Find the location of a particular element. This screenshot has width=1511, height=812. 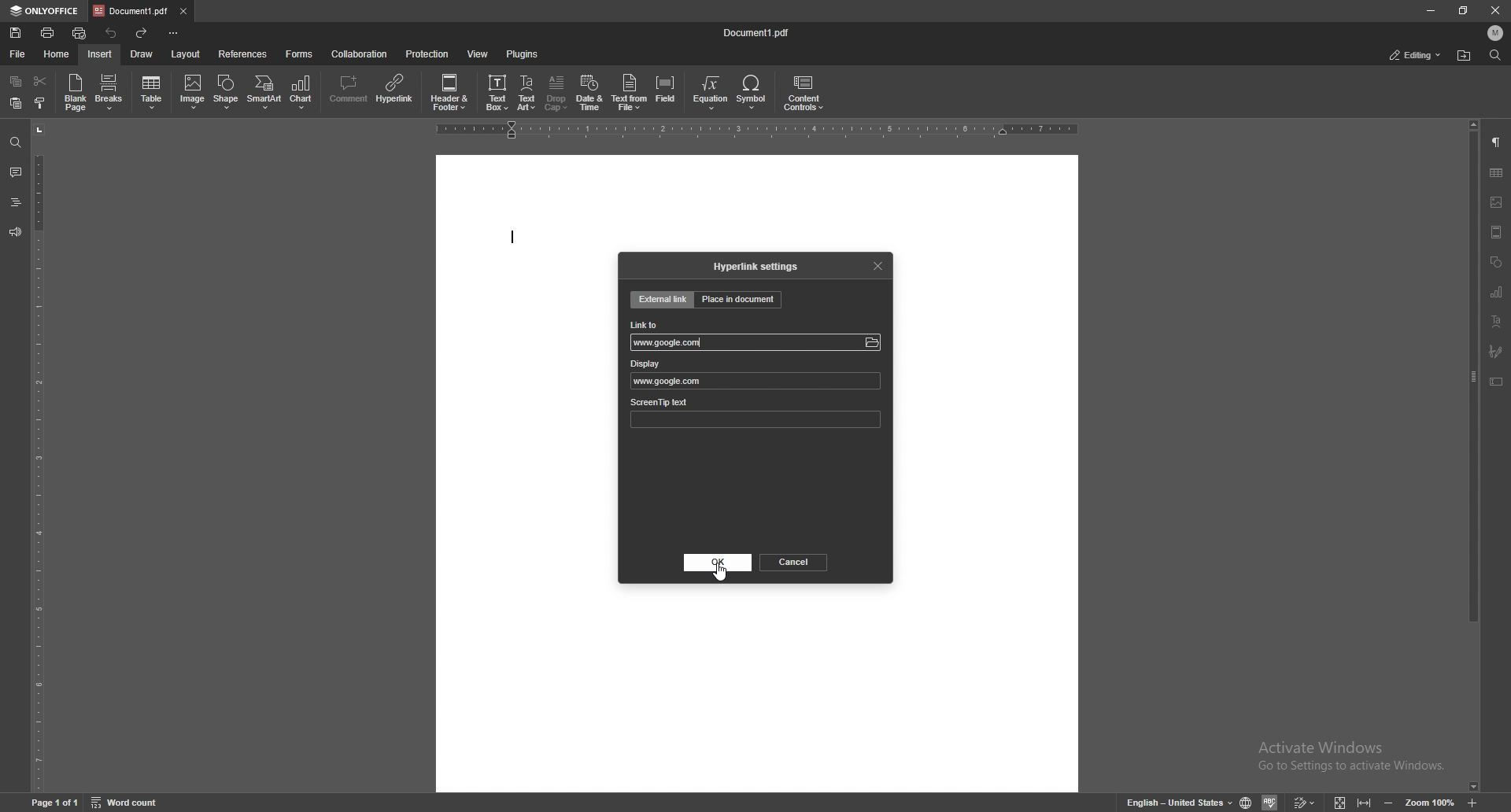

save is located at coordinates (17, 32).